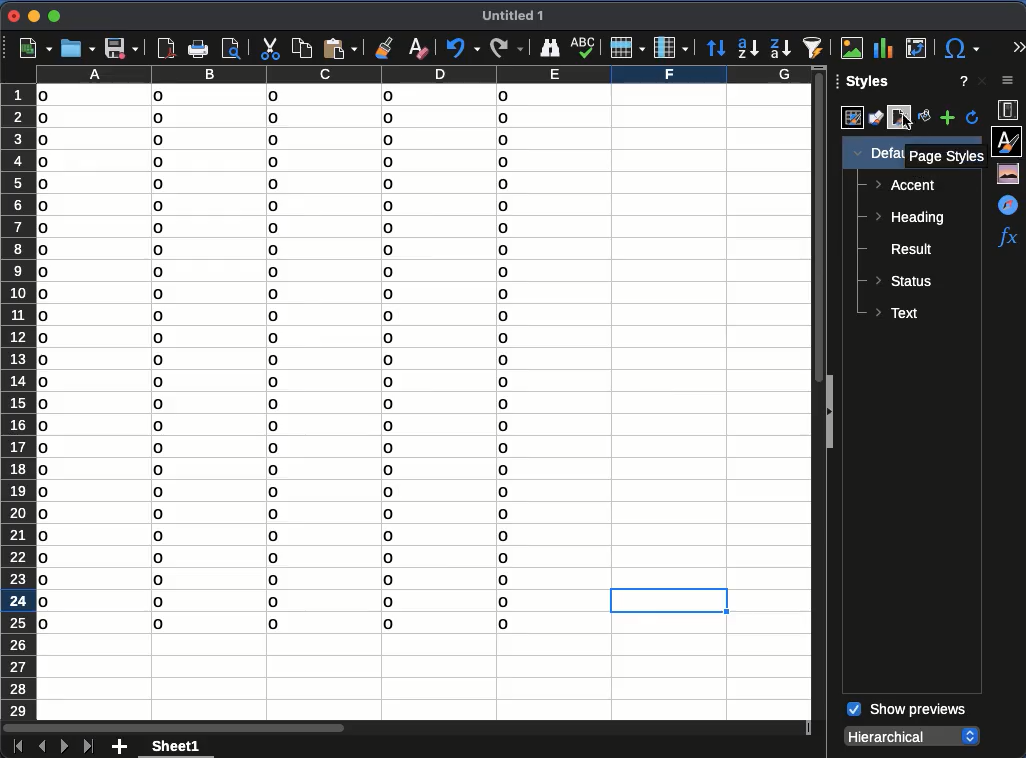 The height and width of the screenshot is (758, 1026). What do you see at coordinates (269, 49) in the screenshot?
I see `cut` at bounding box center [269, 49].